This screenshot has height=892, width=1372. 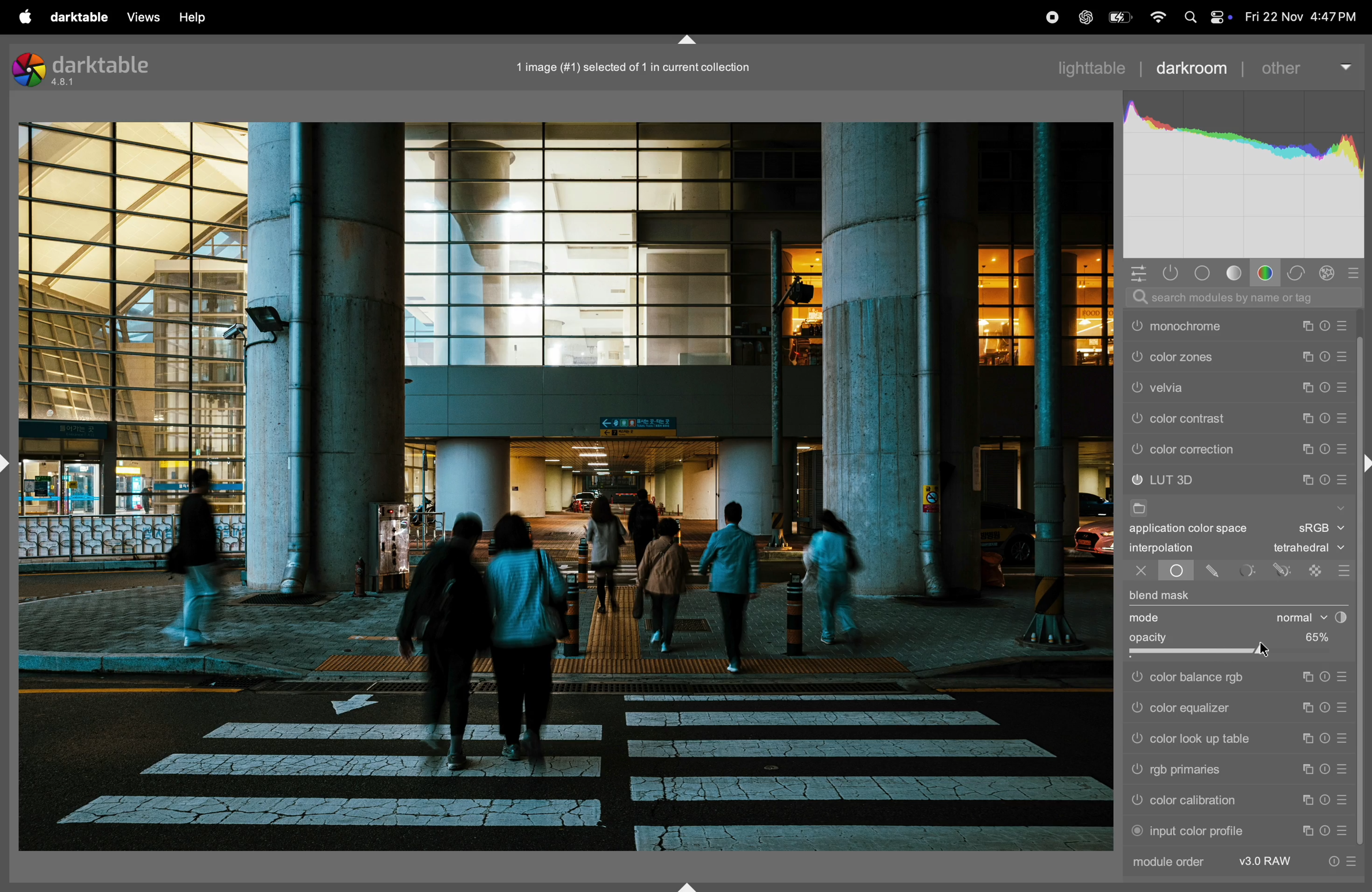 I want to click on reset, so click(x=1326, y=738).